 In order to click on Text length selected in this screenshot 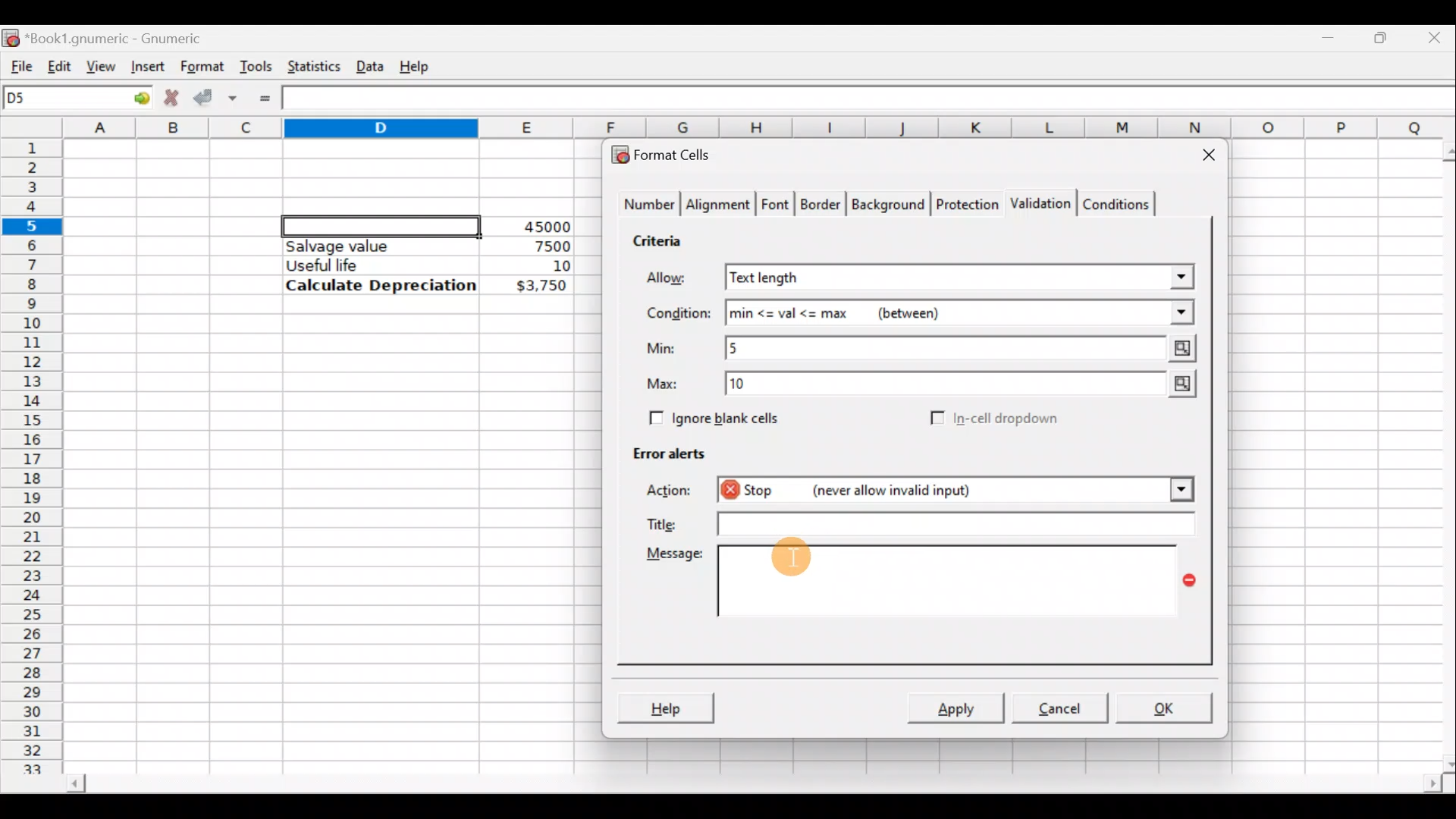, I will do `click(961, 278)`.